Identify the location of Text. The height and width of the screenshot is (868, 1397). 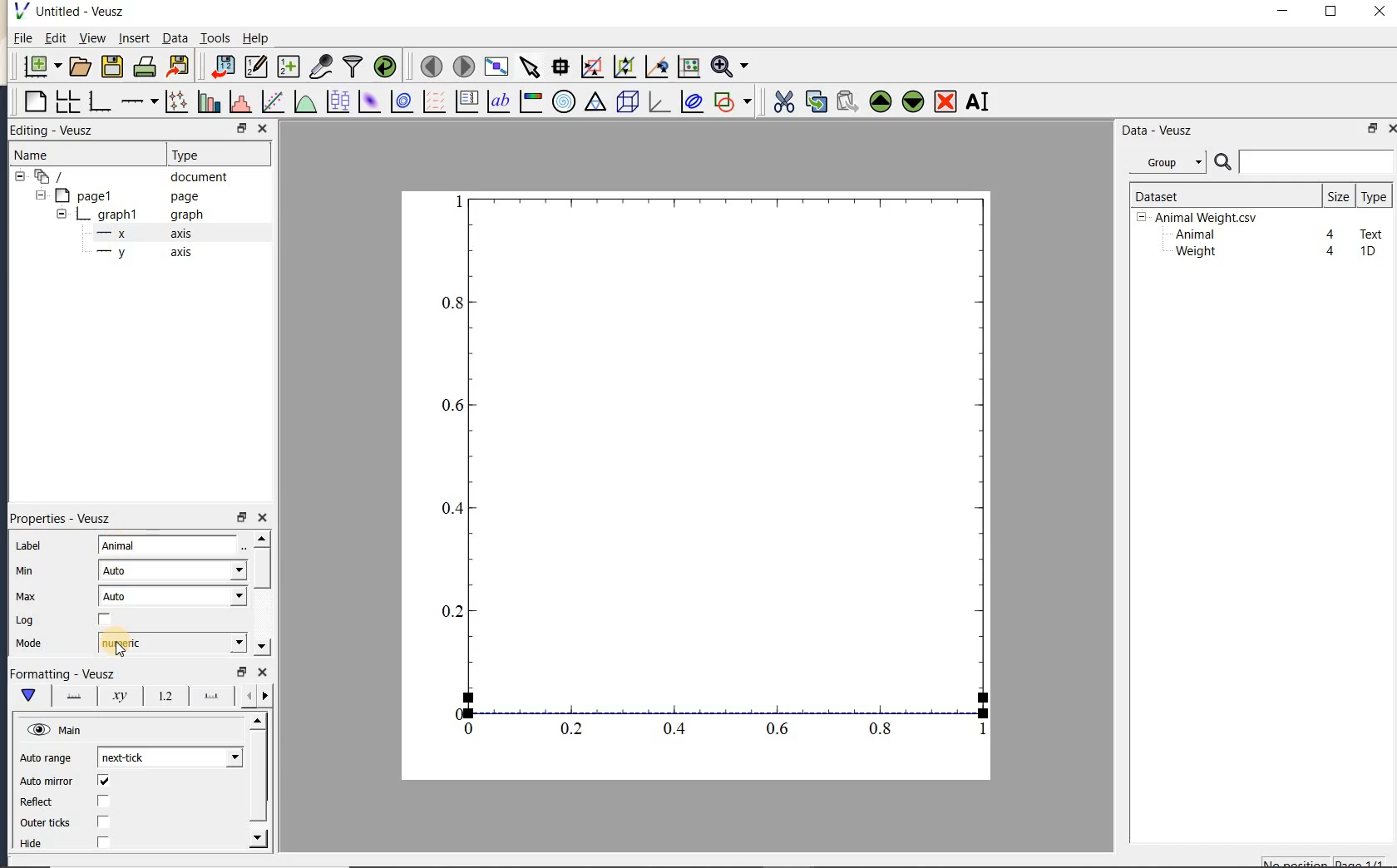
(1372, 232).